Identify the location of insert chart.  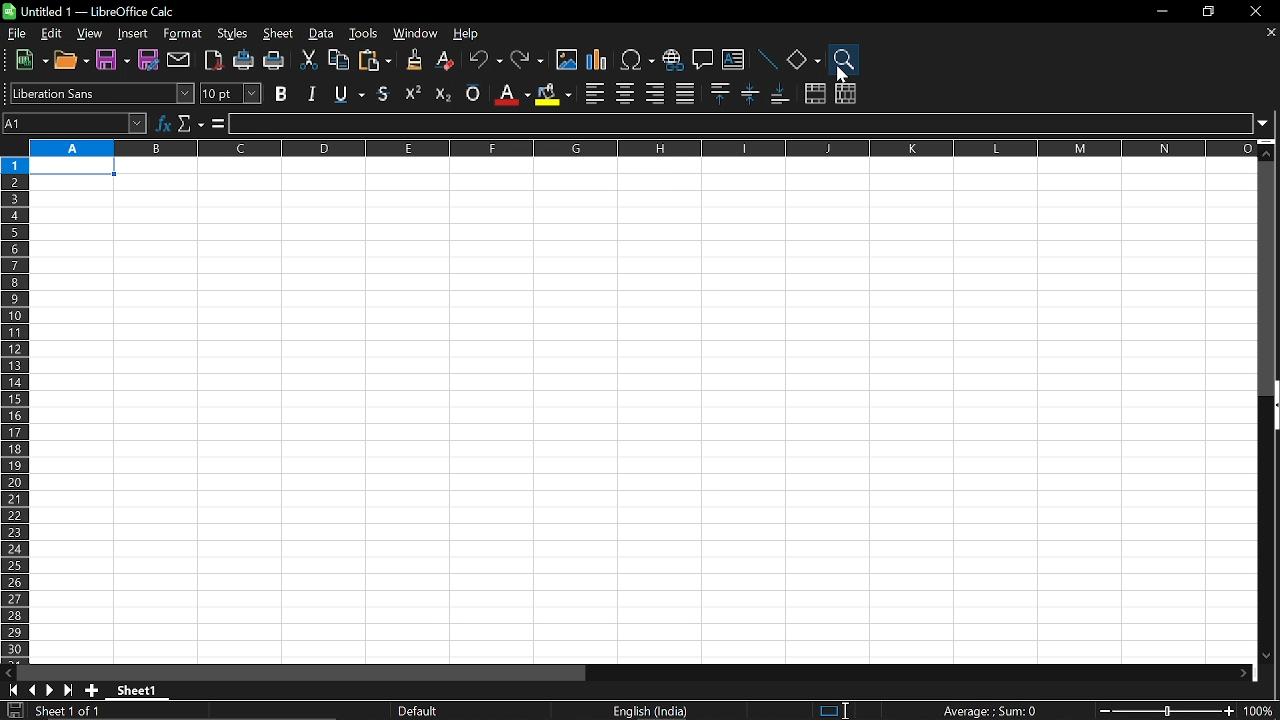
(597, 61).